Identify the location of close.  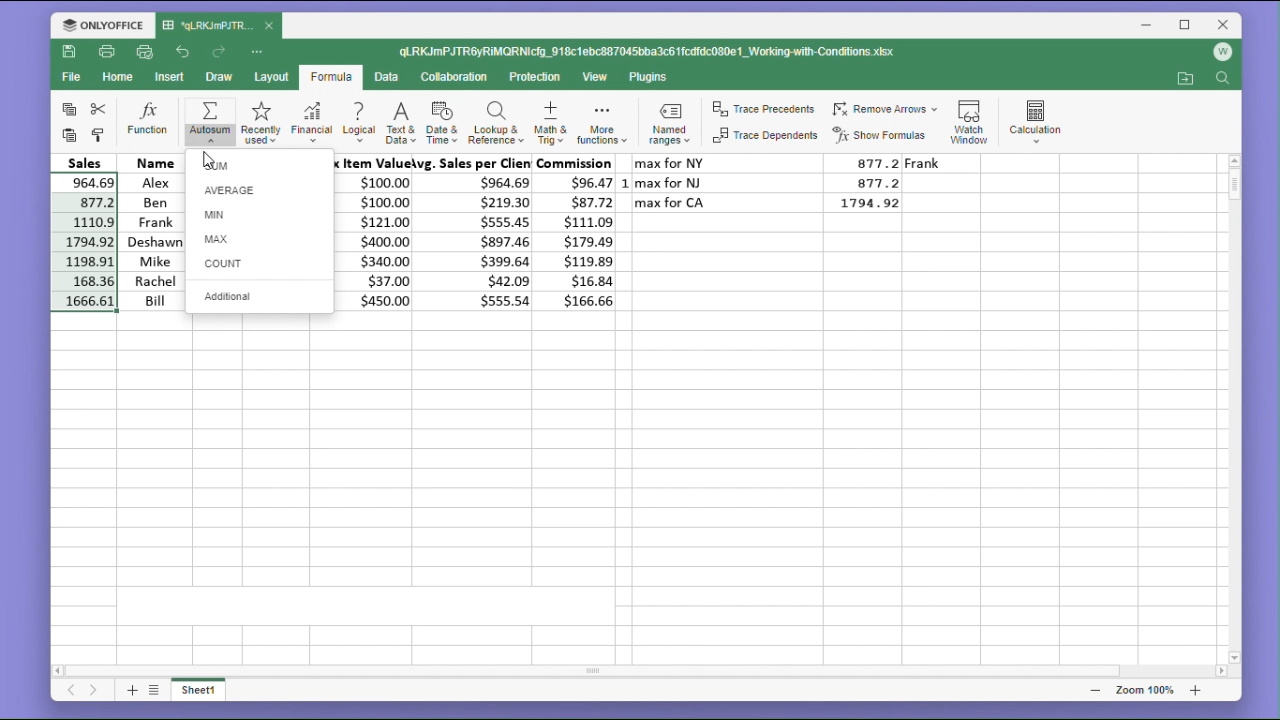
(270, 27).